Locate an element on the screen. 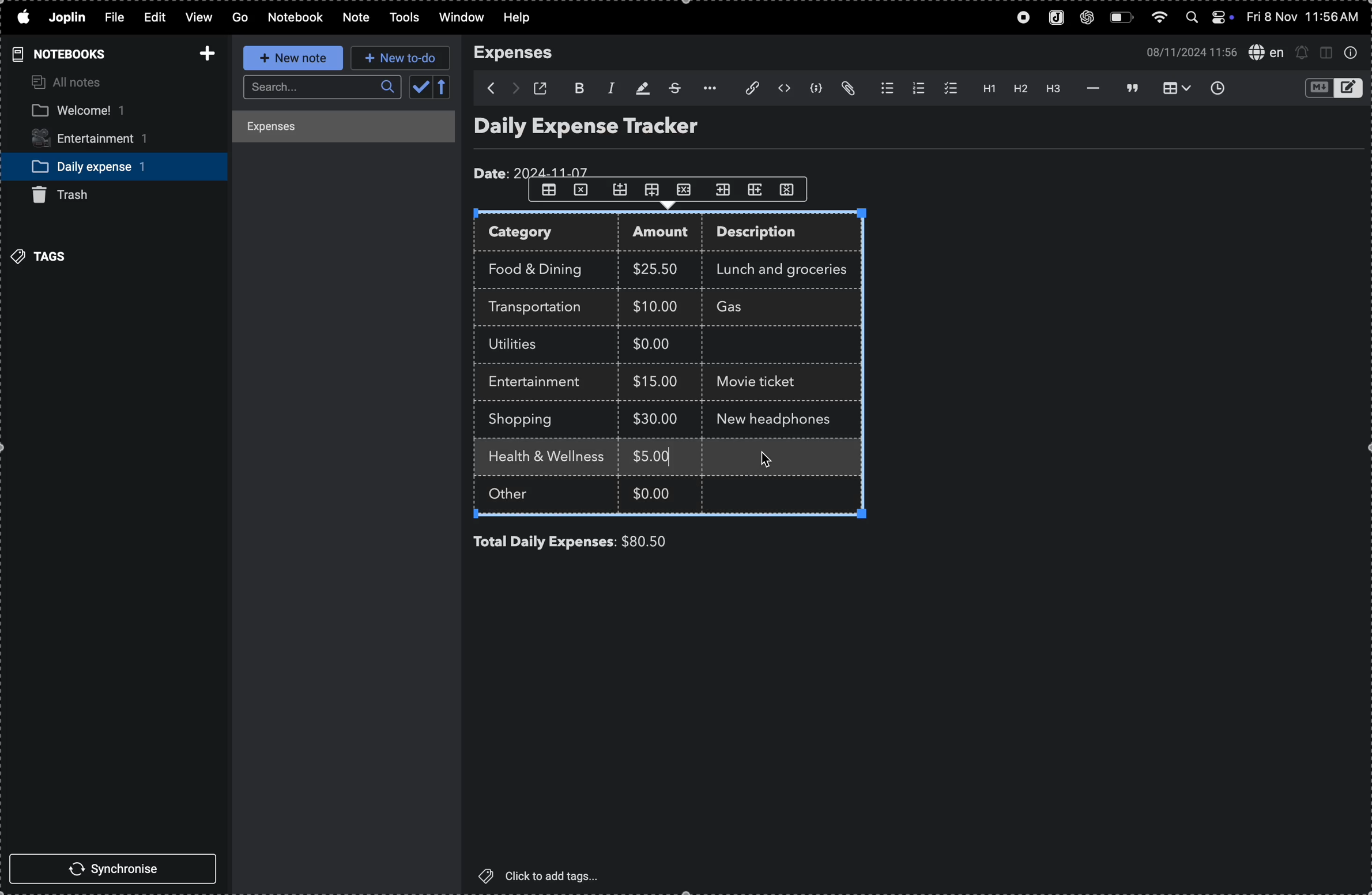 This screenshot has width=1372, height=895. strike through is located at coordinates (673, 88).